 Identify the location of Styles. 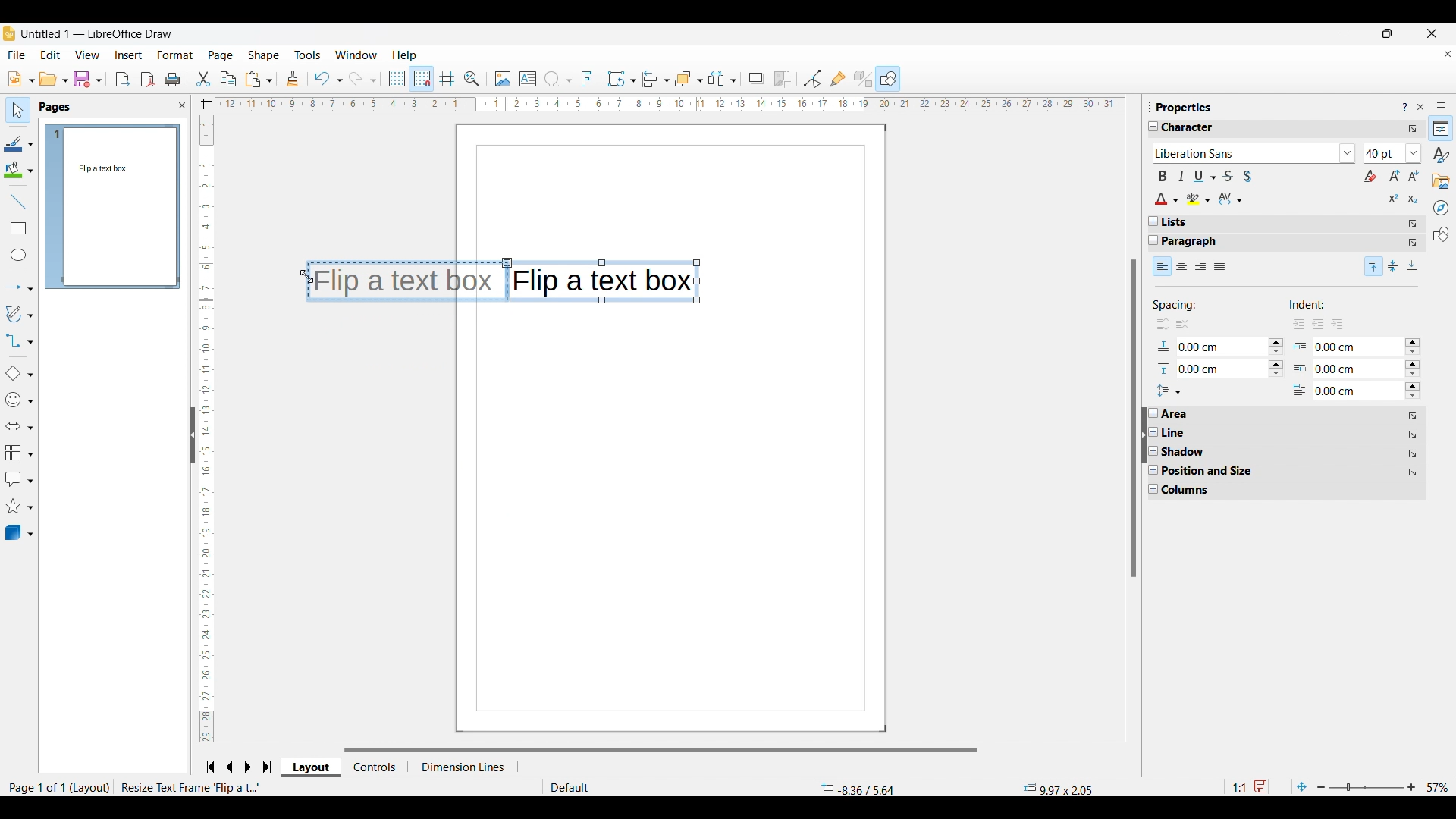
(1441, 155).